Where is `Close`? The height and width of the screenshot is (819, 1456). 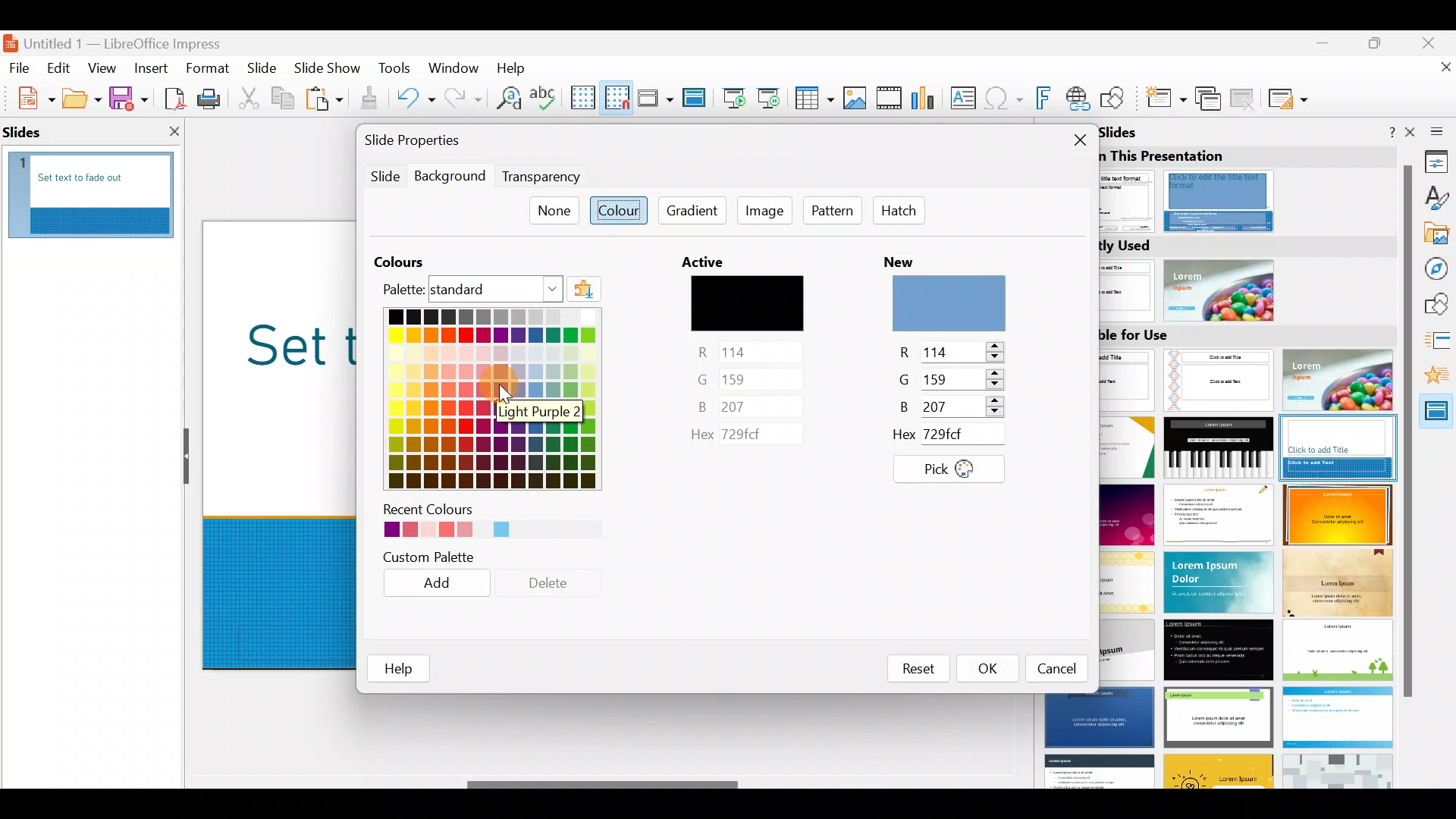
Close is located at coordinates (1434, 41).